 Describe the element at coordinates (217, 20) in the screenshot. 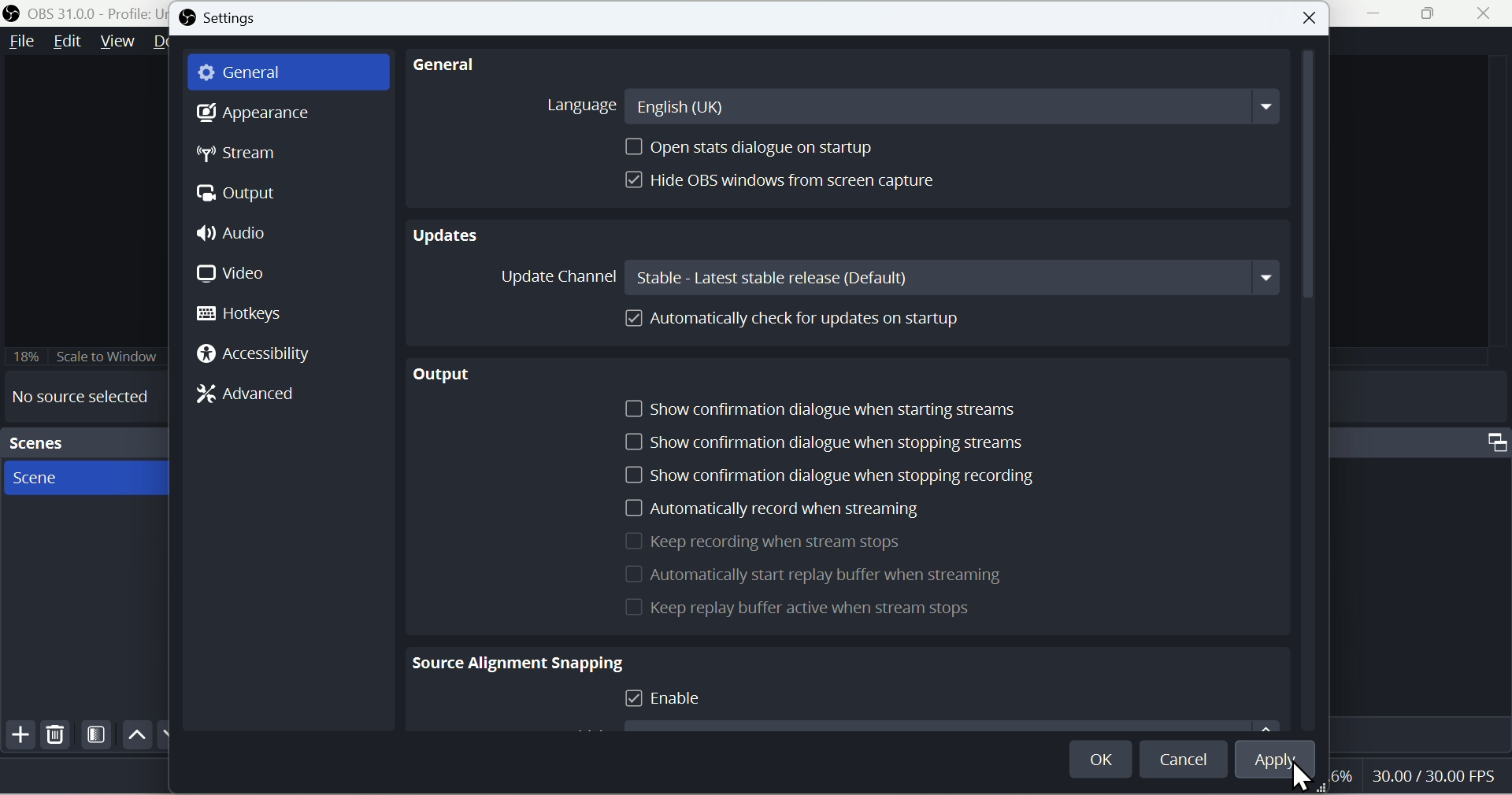

I see `Settings` at that location.